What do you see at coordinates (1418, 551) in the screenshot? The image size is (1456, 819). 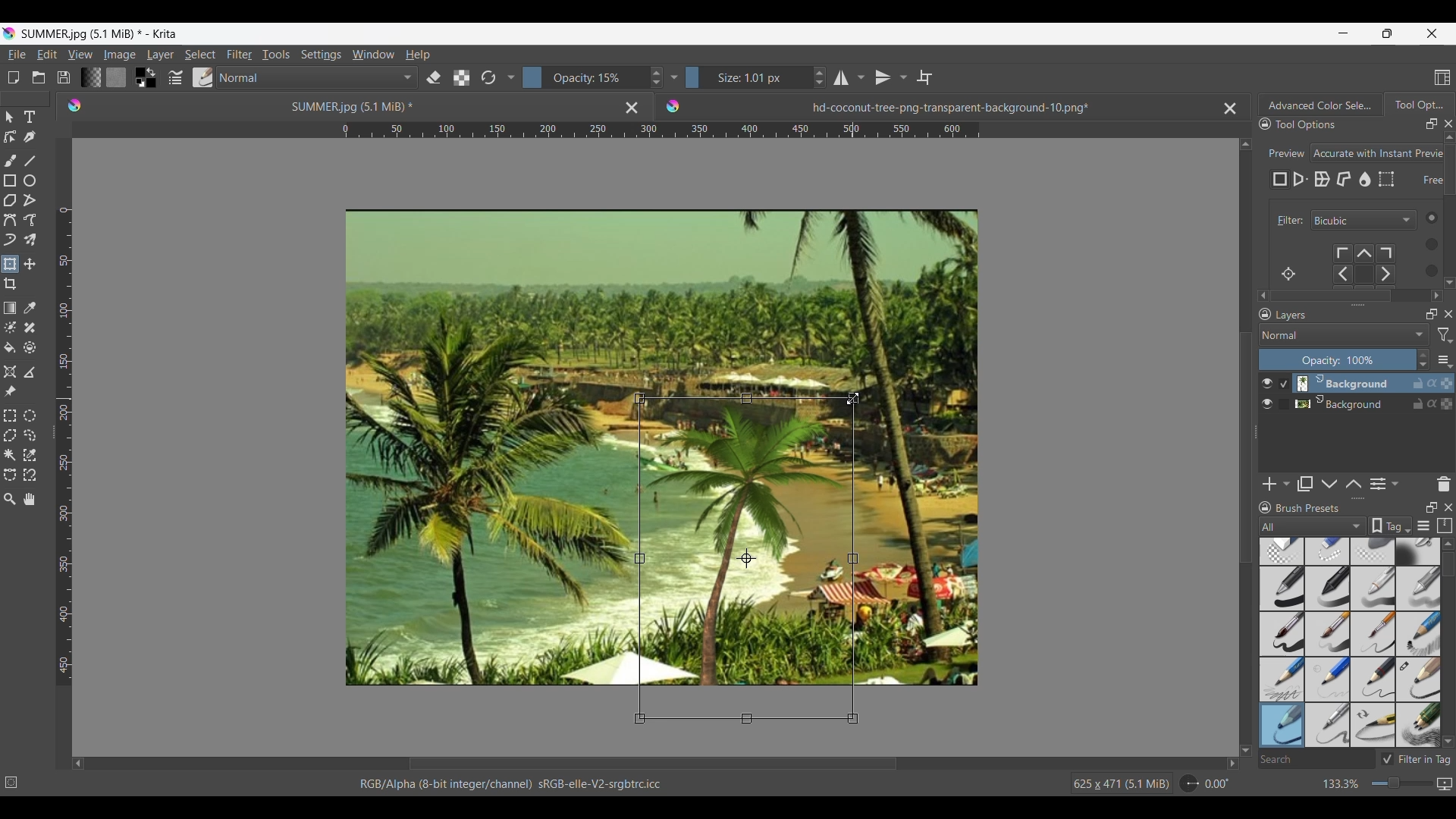 I see `airbrush soft` at bounding box center [1418, 551].